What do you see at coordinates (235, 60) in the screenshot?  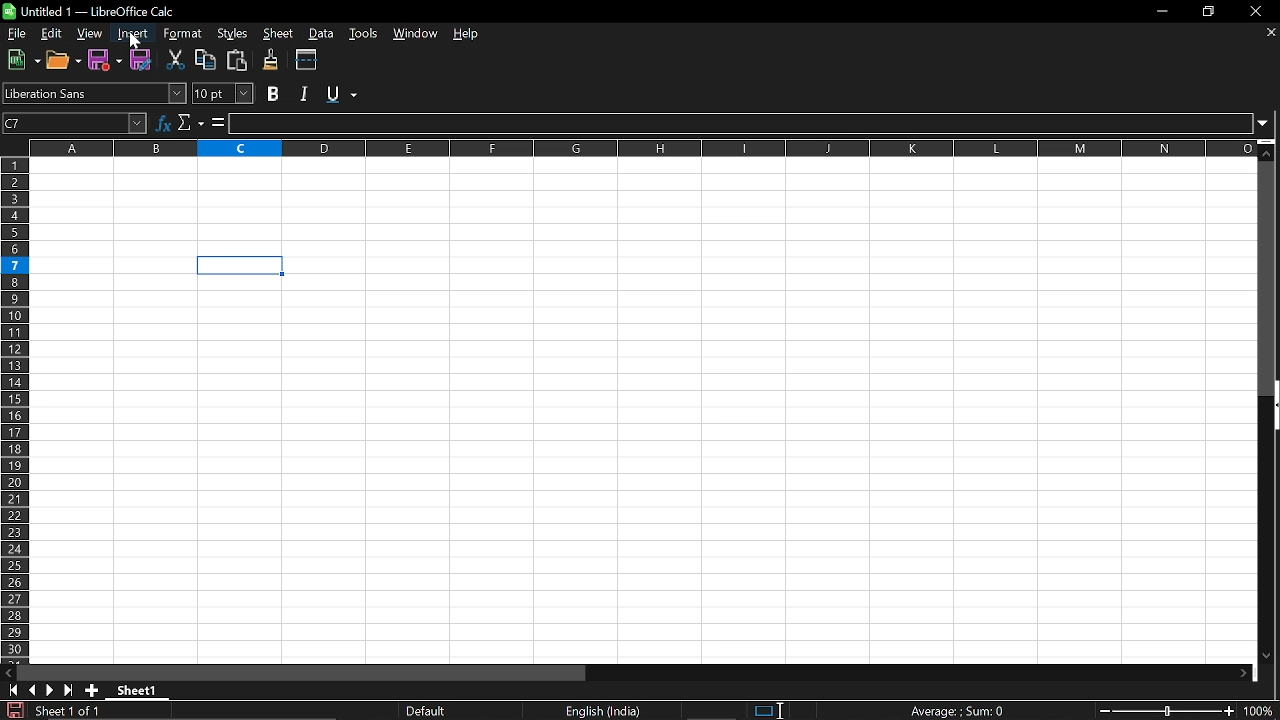 I see `Paste` at bounding box center [235, 60].